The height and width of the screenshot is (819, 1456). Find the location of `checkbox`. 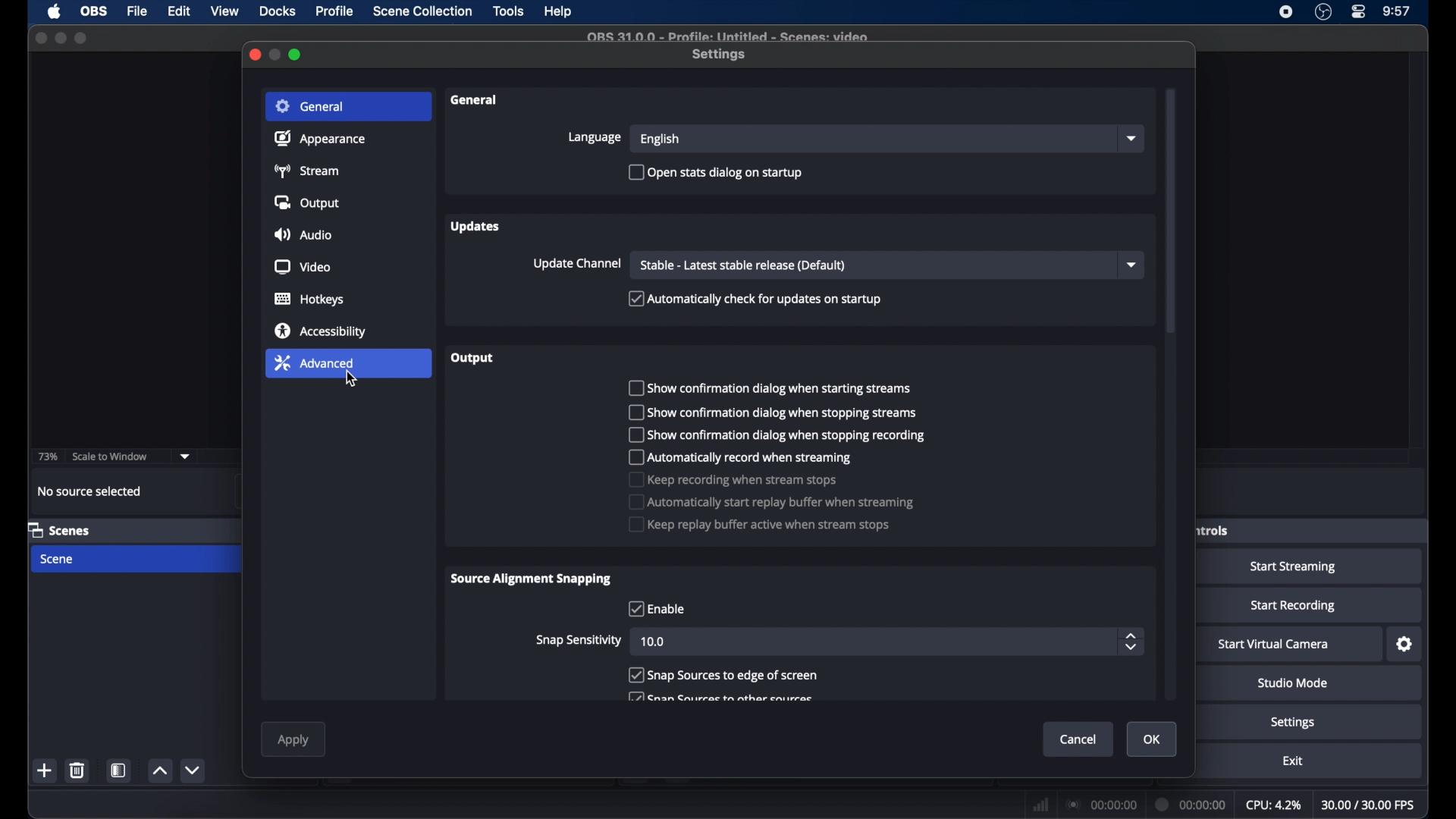

checkbox is located at coordinates (759, 525).